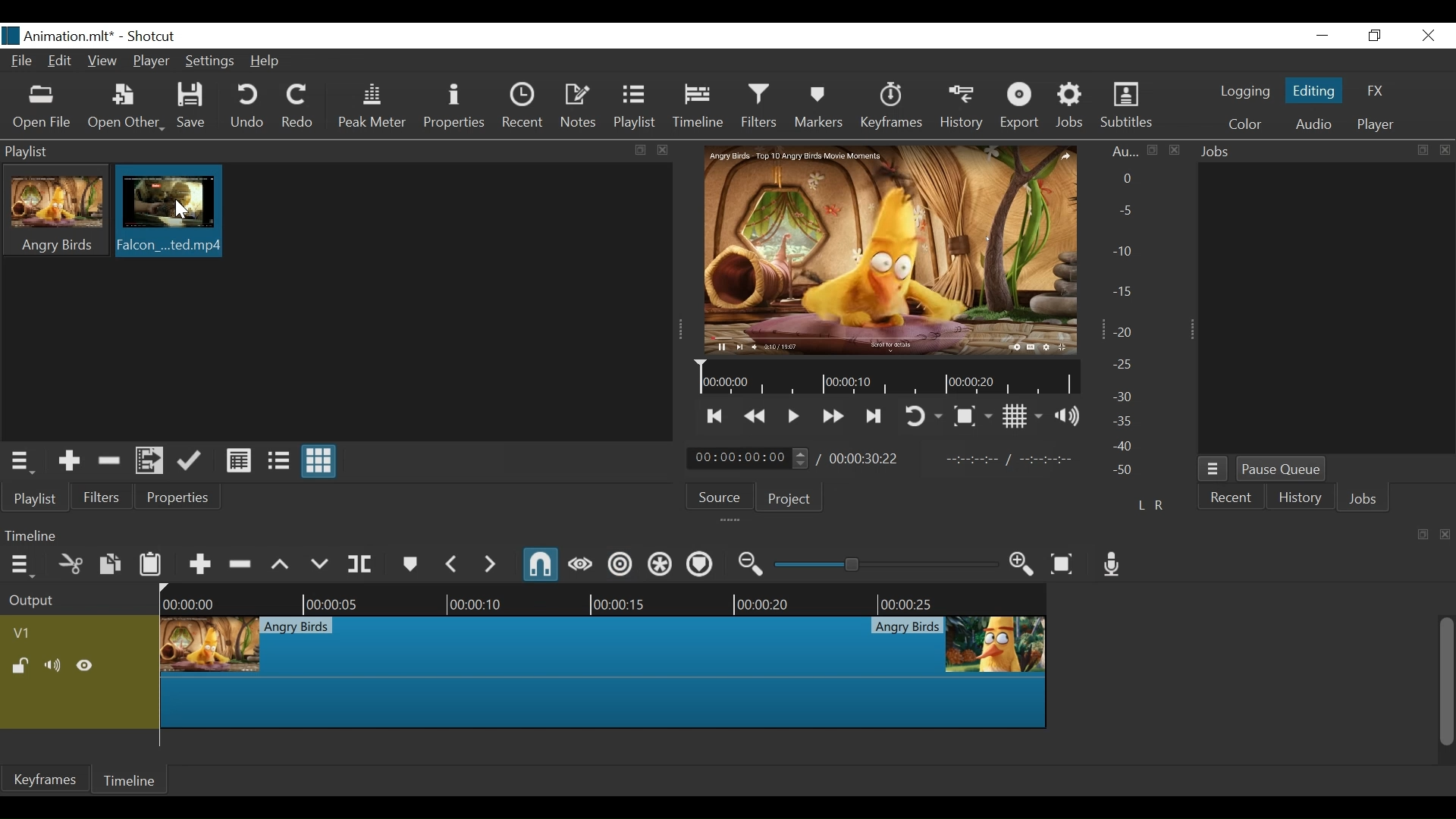  I want to click on L R, so click(1150, 504).